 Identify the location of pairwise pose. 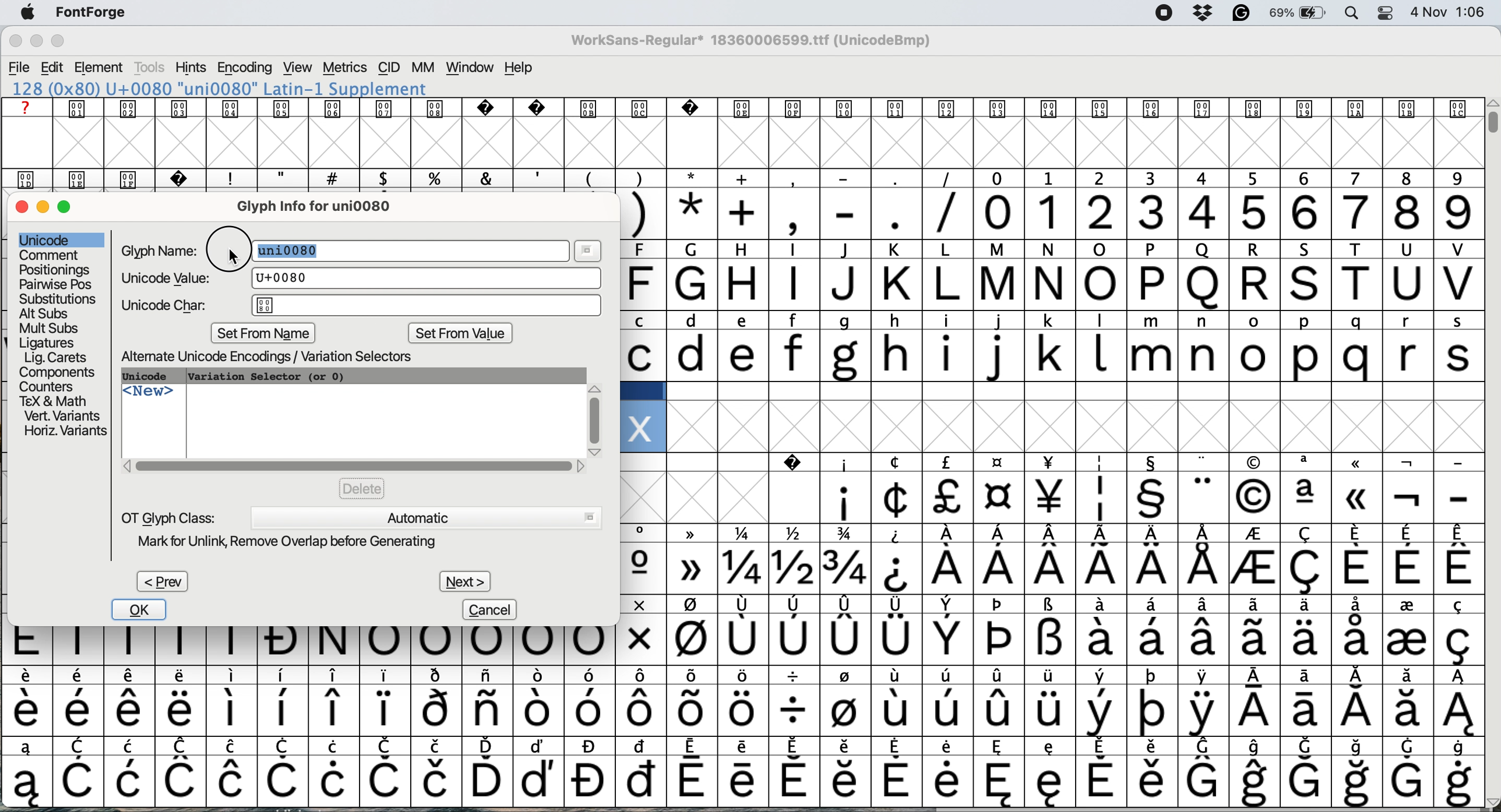
(57, 284).